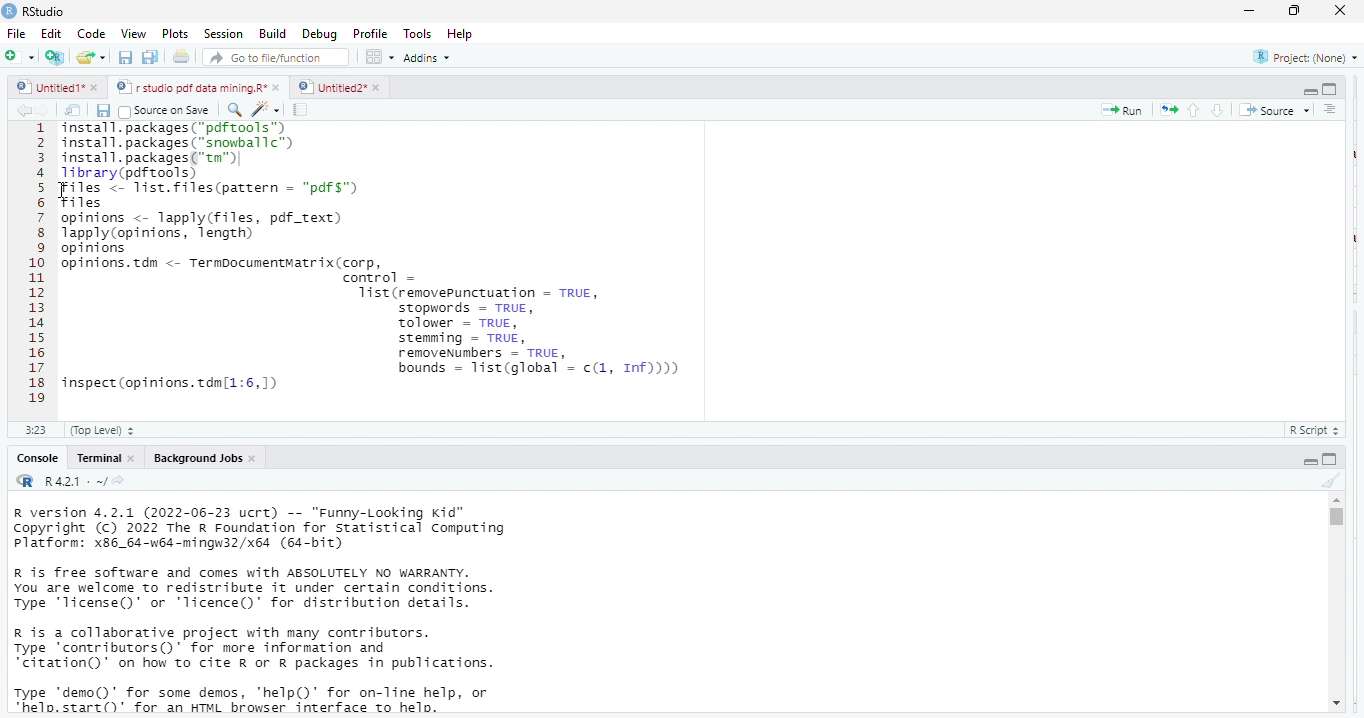  Describe the element at coordinates (75, 110) in the screenshot. I see `show in new window` at that location.